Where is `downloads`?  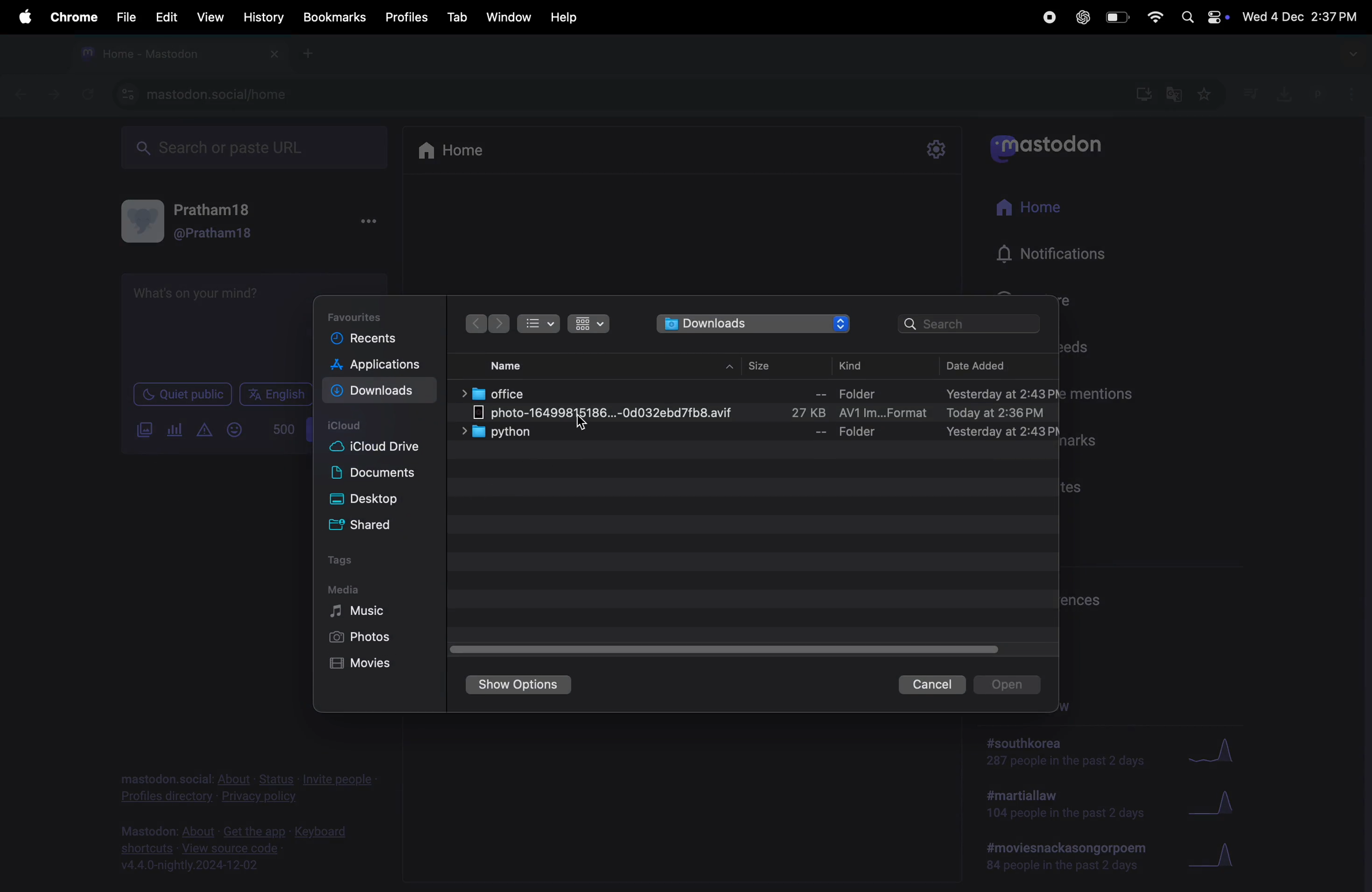 downloads is located at coordinates (377, 392).